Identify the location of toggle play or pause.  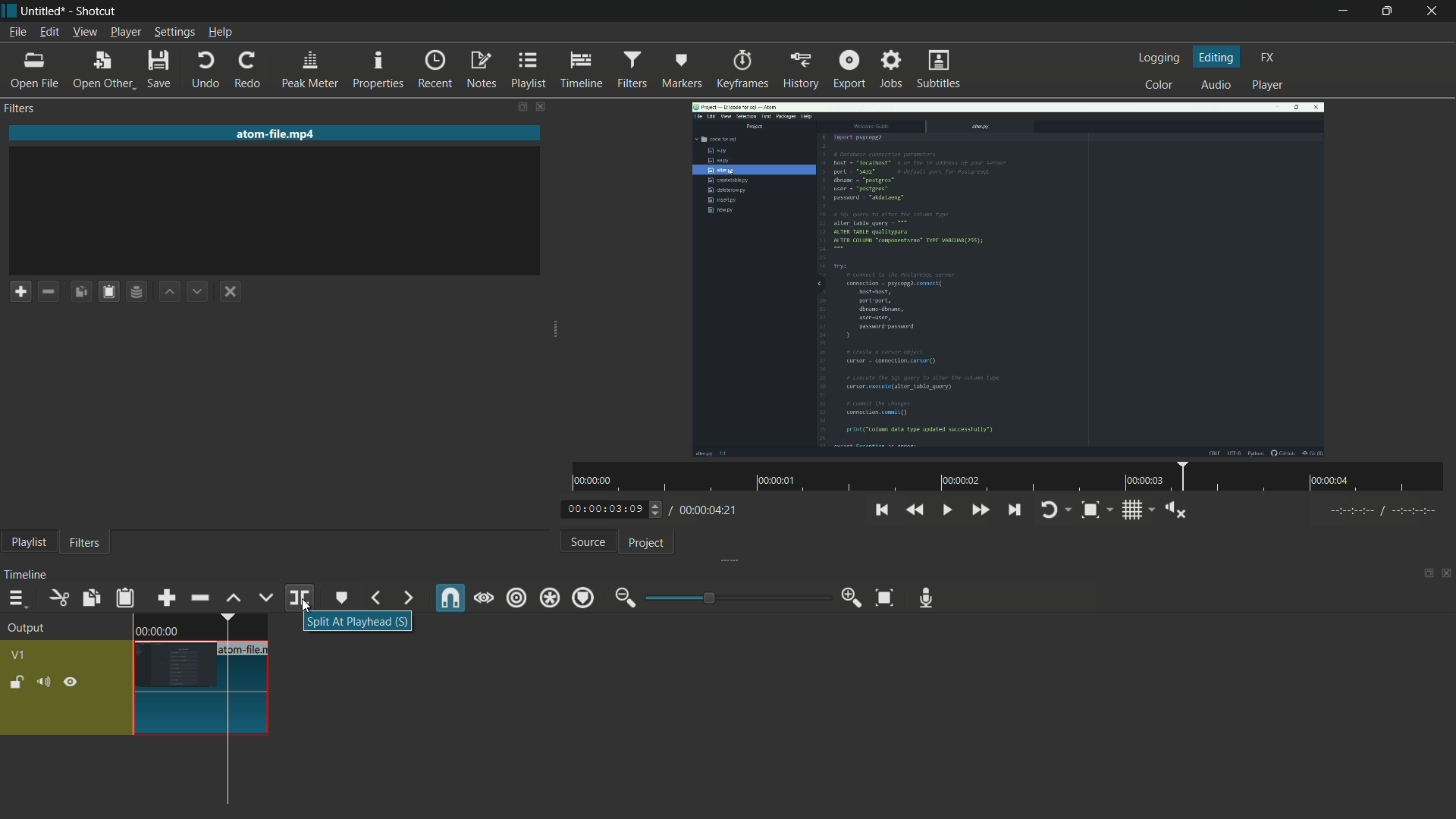
(947, 510).